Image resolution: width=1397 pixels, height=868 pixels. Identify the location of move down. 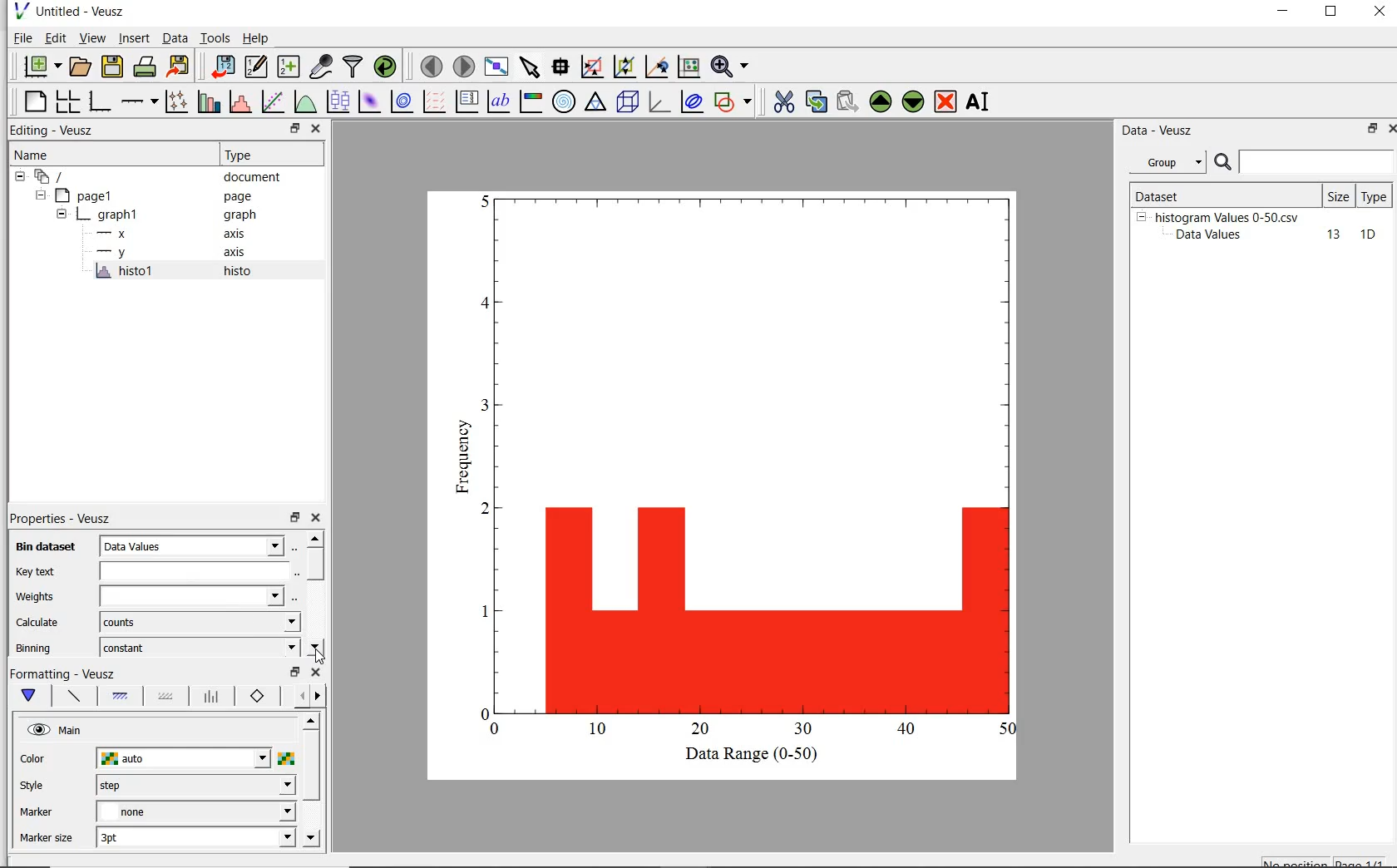
(314, 645).